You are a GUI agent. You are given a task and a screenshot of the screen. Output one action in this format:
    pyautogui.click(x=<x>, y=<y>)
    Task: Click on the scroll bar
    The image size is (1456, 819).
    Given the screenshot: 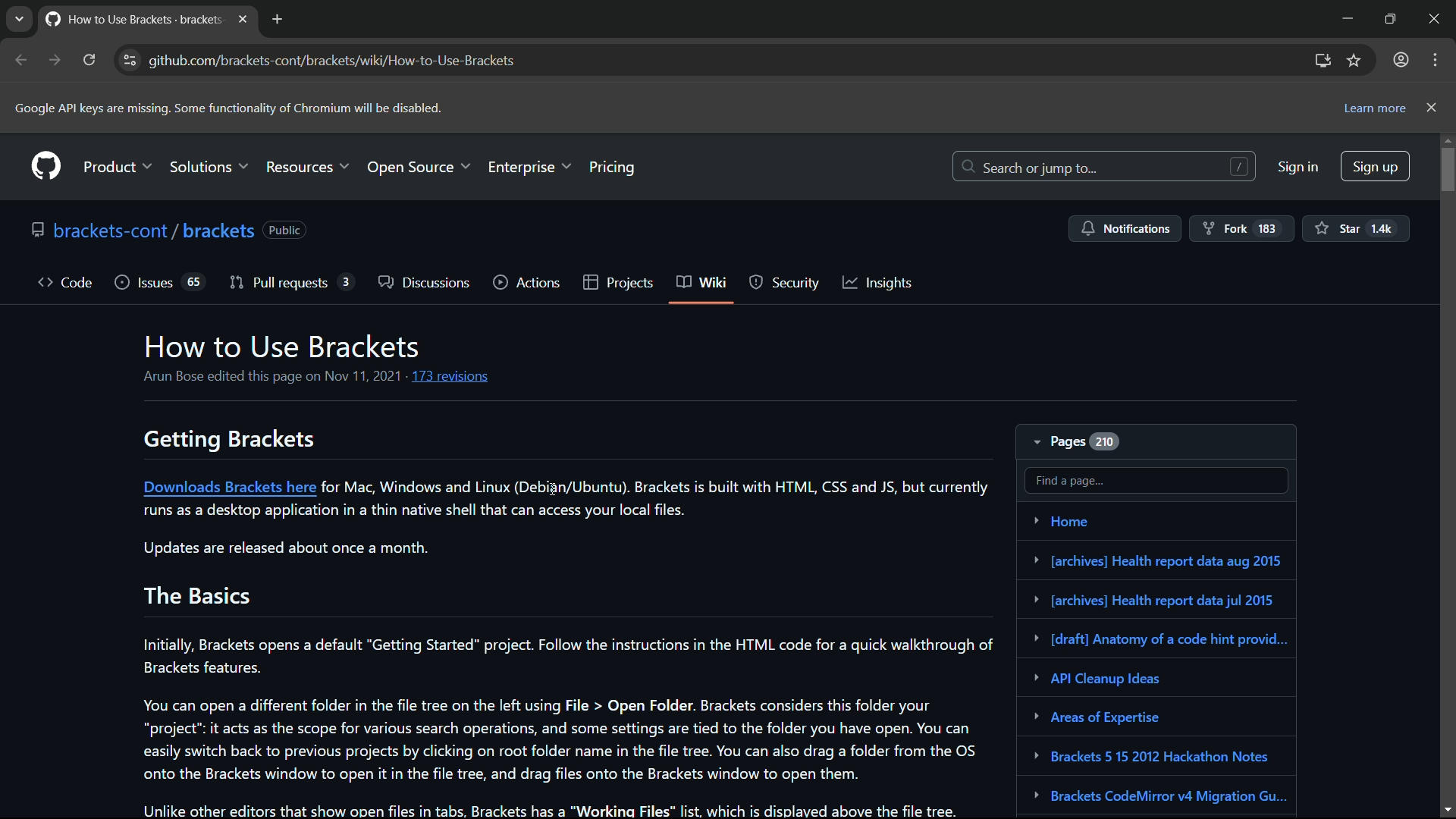 What is the action you would take?
    pyautogui.click(x=1447, y=475)
    